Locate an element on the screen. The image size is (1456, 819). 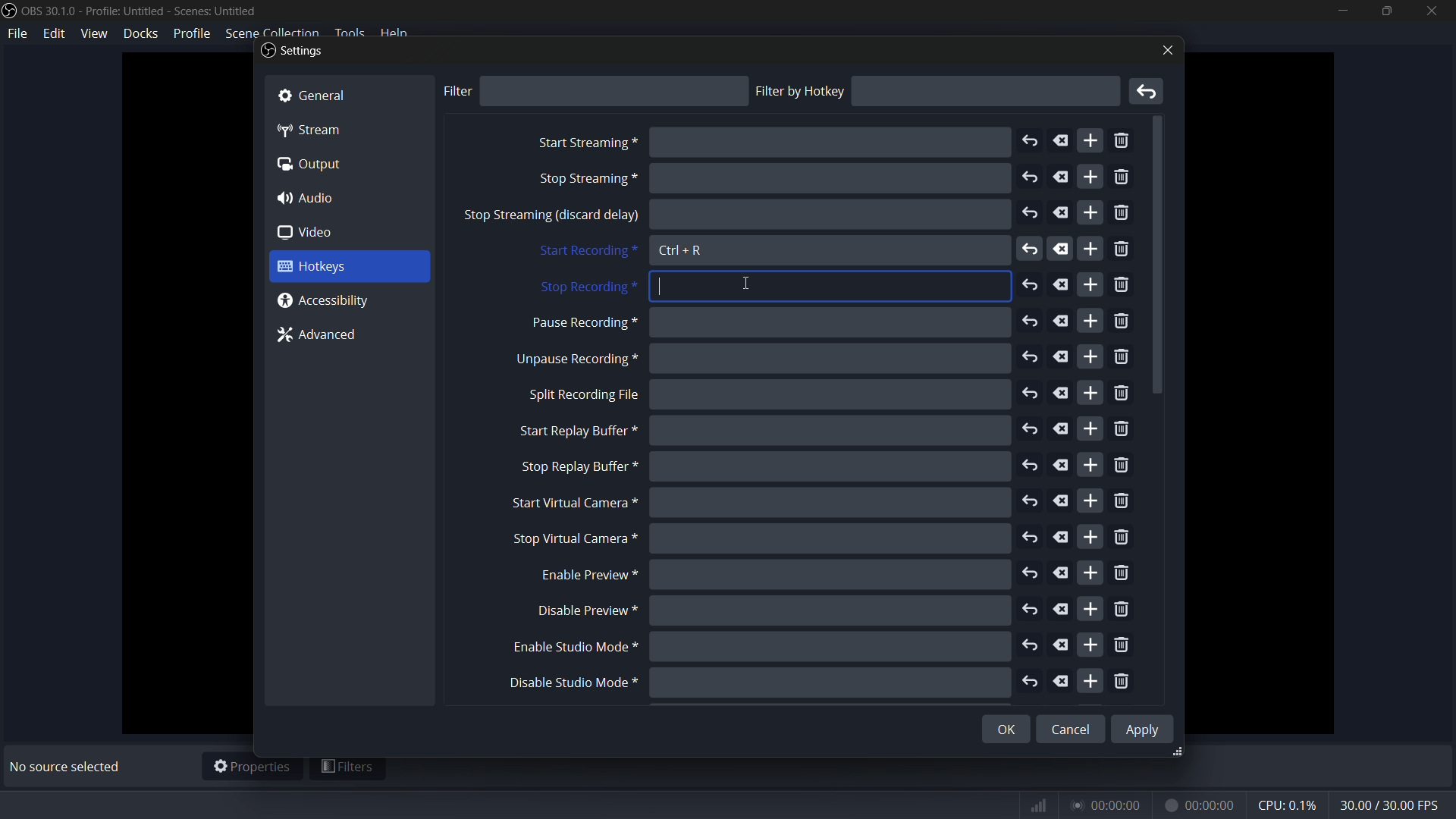
undo is located at coordinates (1029, 393).